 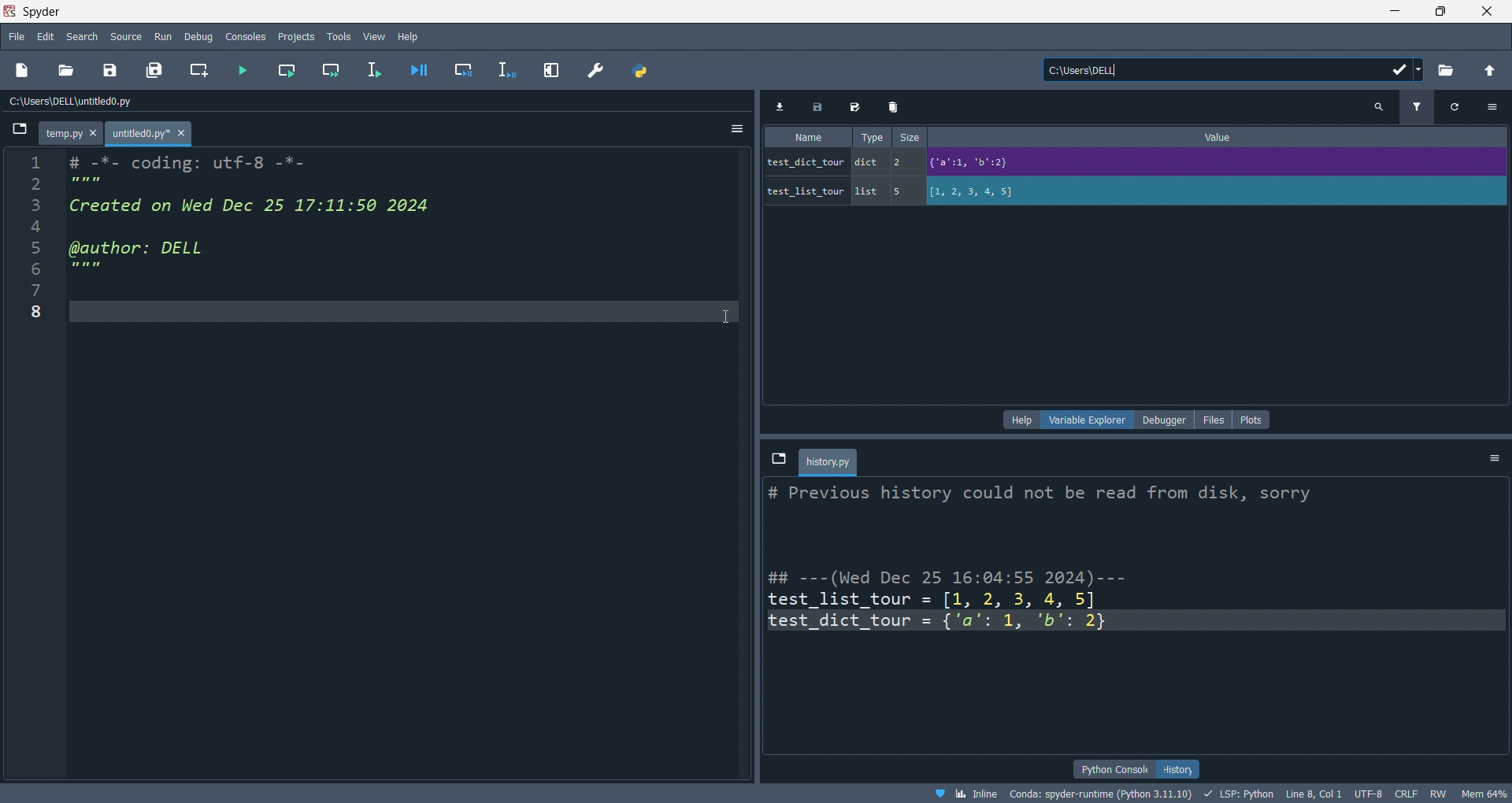 I want to click on maximize, so click(x=1441, y=10).